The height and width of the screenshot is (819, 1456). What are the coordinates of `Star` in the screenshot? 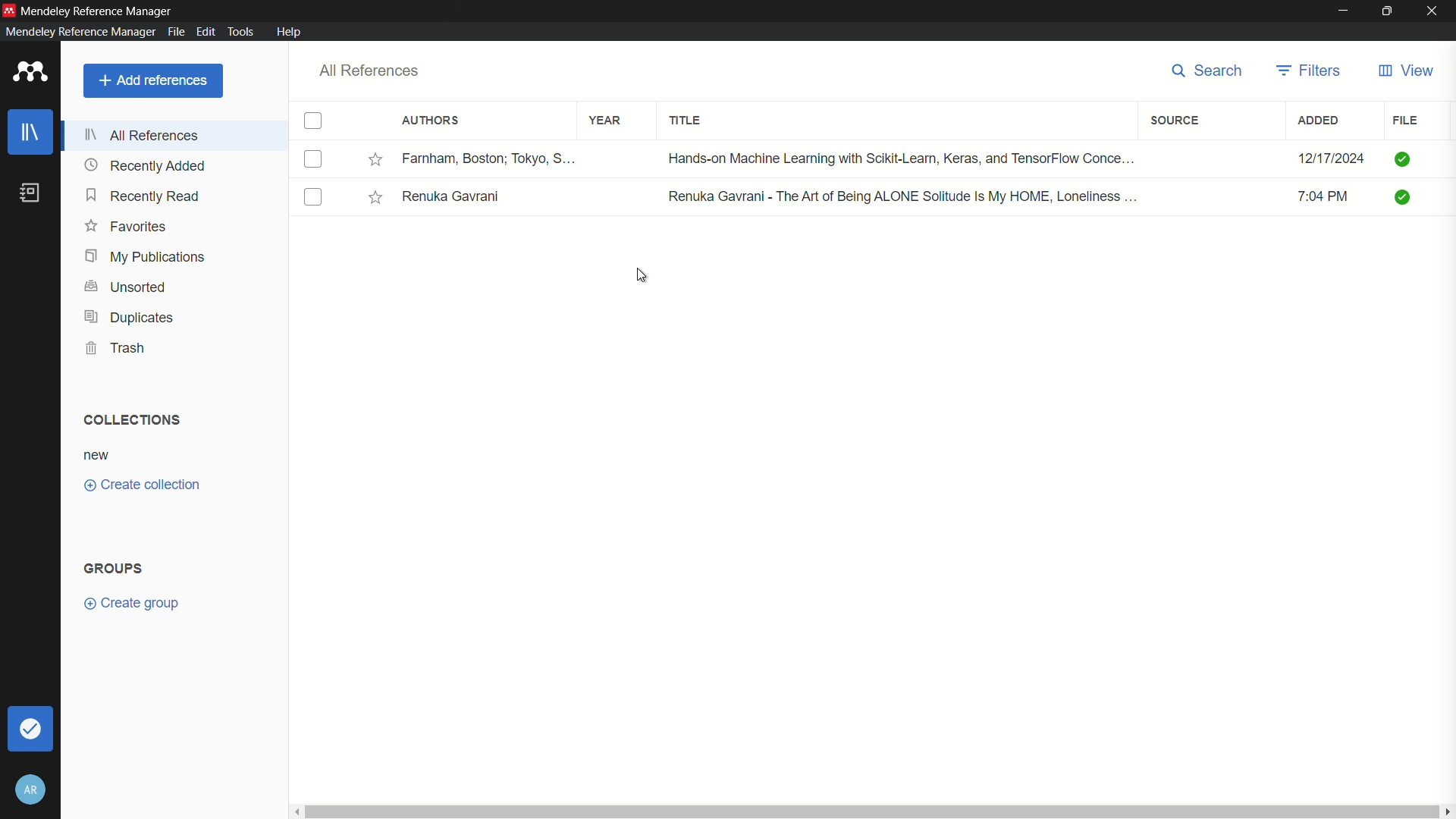 It's located at (377, 160).